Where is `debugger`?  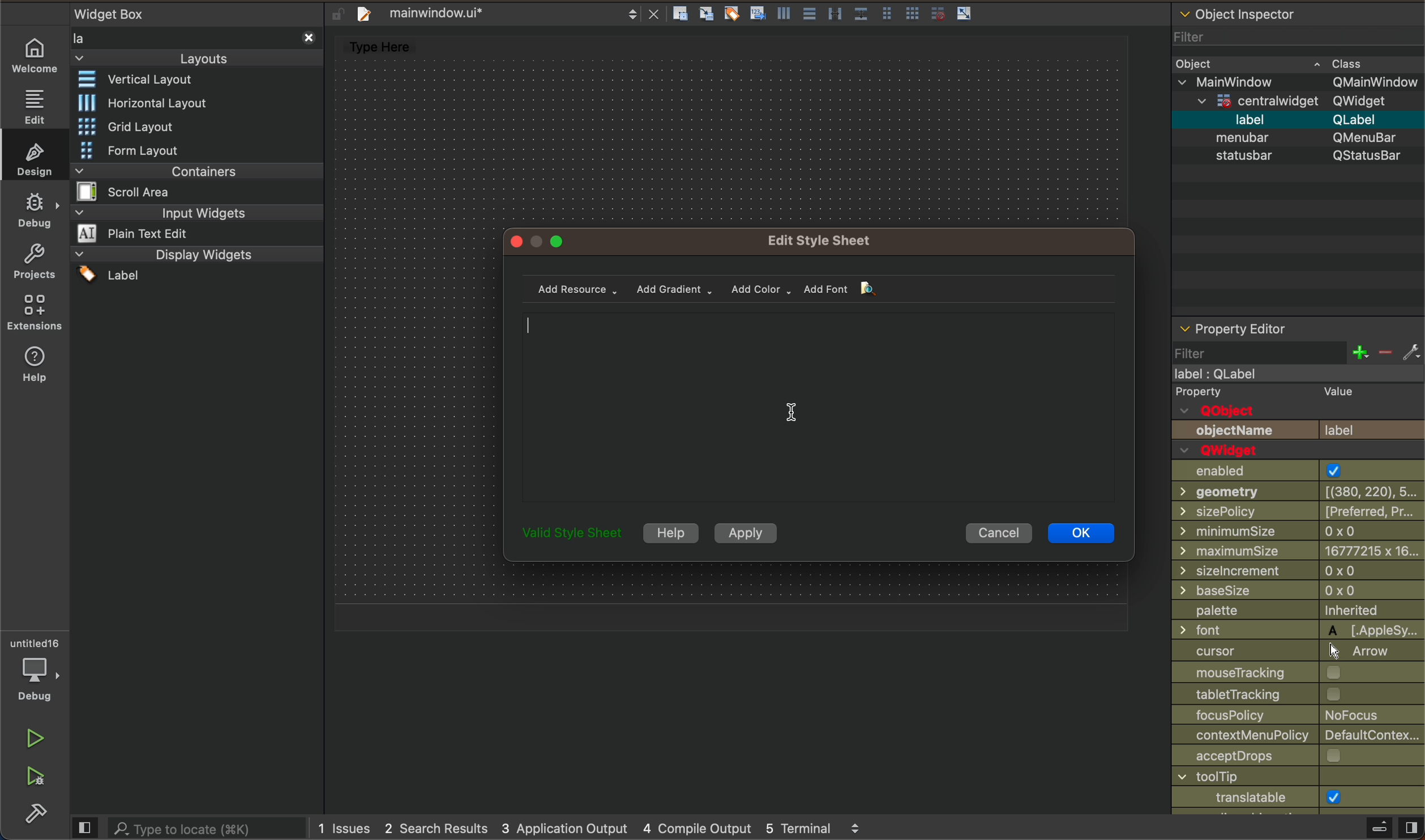 debugger is located at coordinates (38, 668).